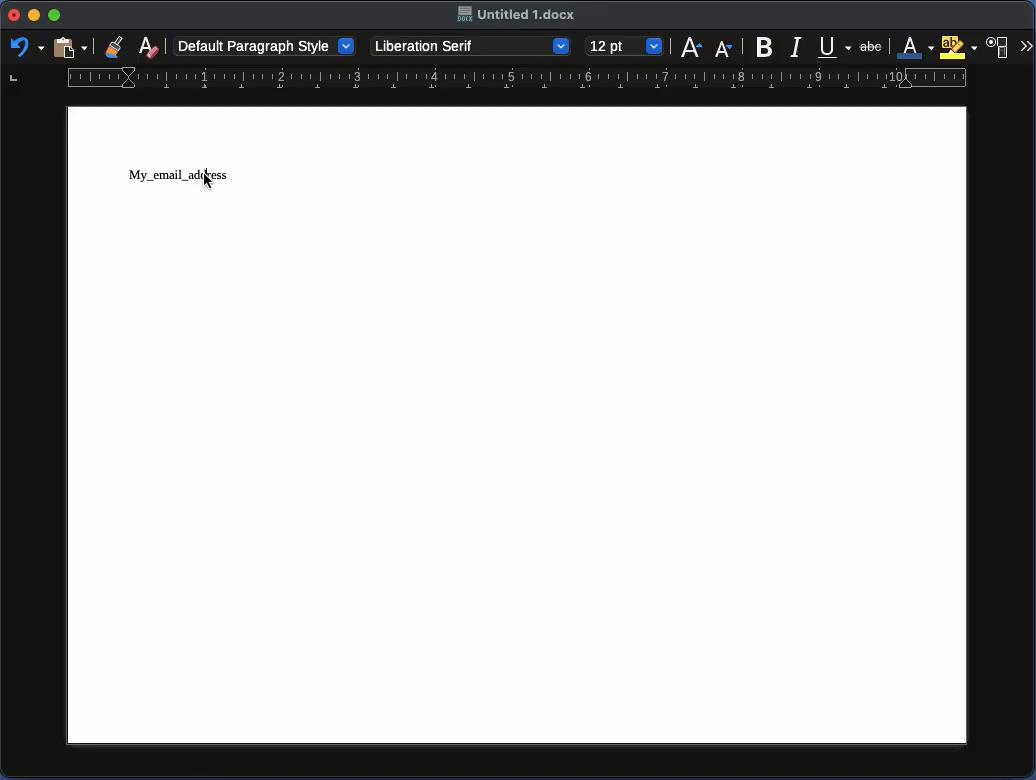  Describe the element at coordinates (34, 16) in the screenshot. I see `Minimize` at that location.